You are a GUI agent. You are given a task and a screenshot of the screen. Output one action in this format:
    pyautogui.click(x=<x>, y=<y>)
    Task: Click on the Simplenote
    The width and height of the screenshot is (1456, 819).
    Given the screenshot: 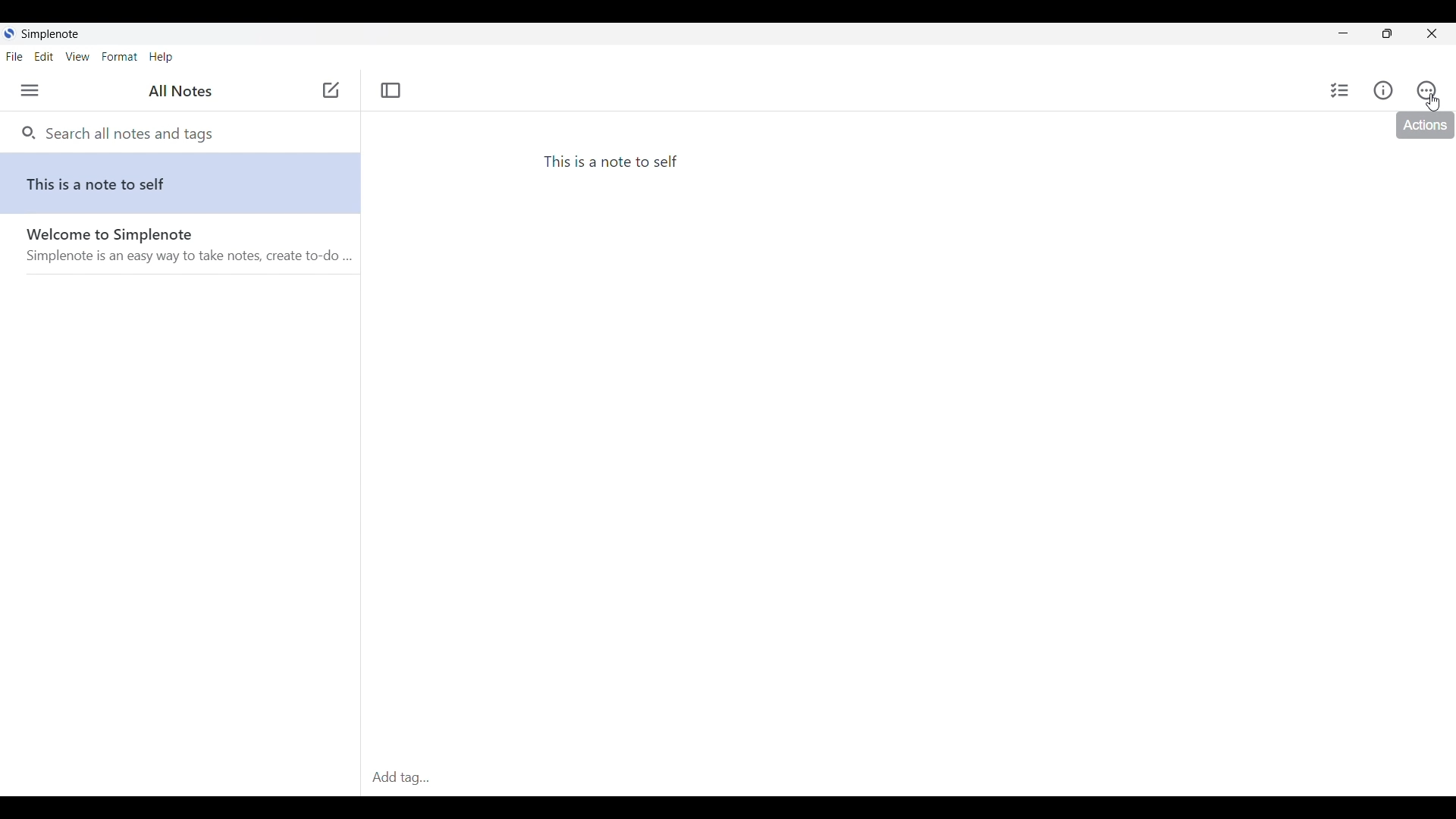 What is the action you would take?
    pyautogui.click(x=46, y=35)
    